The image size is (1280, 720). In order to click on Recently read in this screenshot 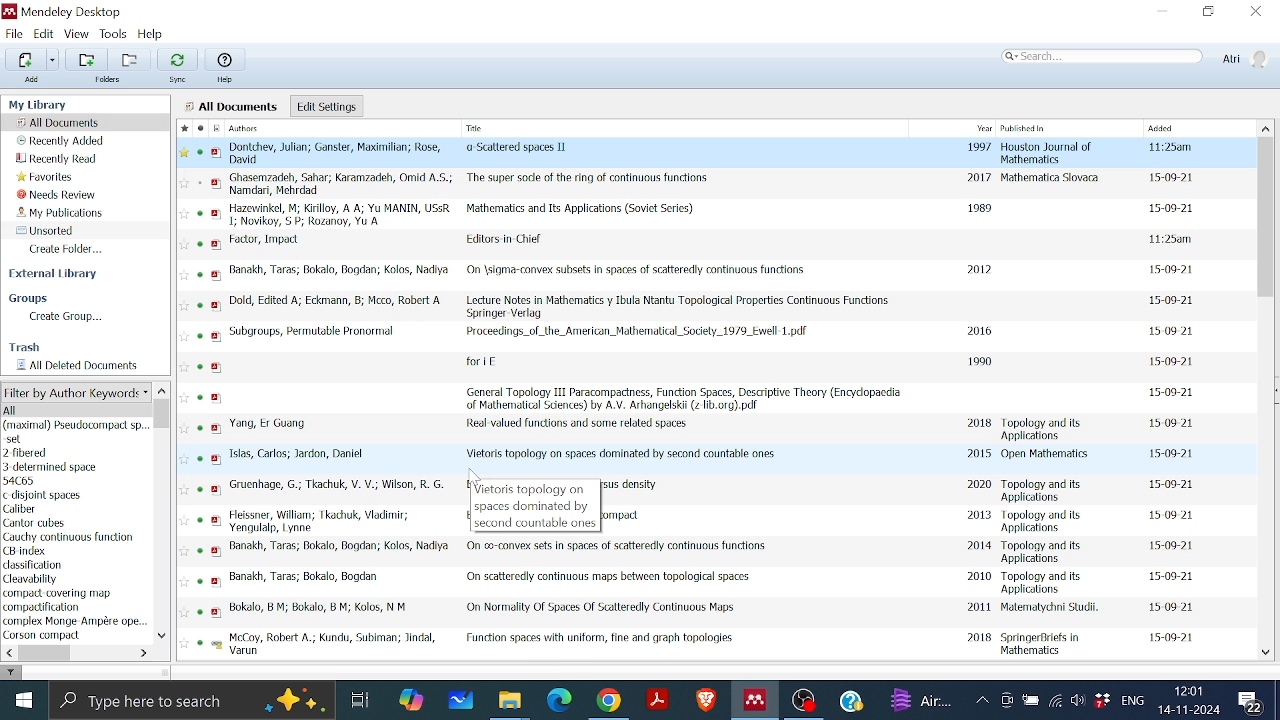, I will do `click(65, 160)`.